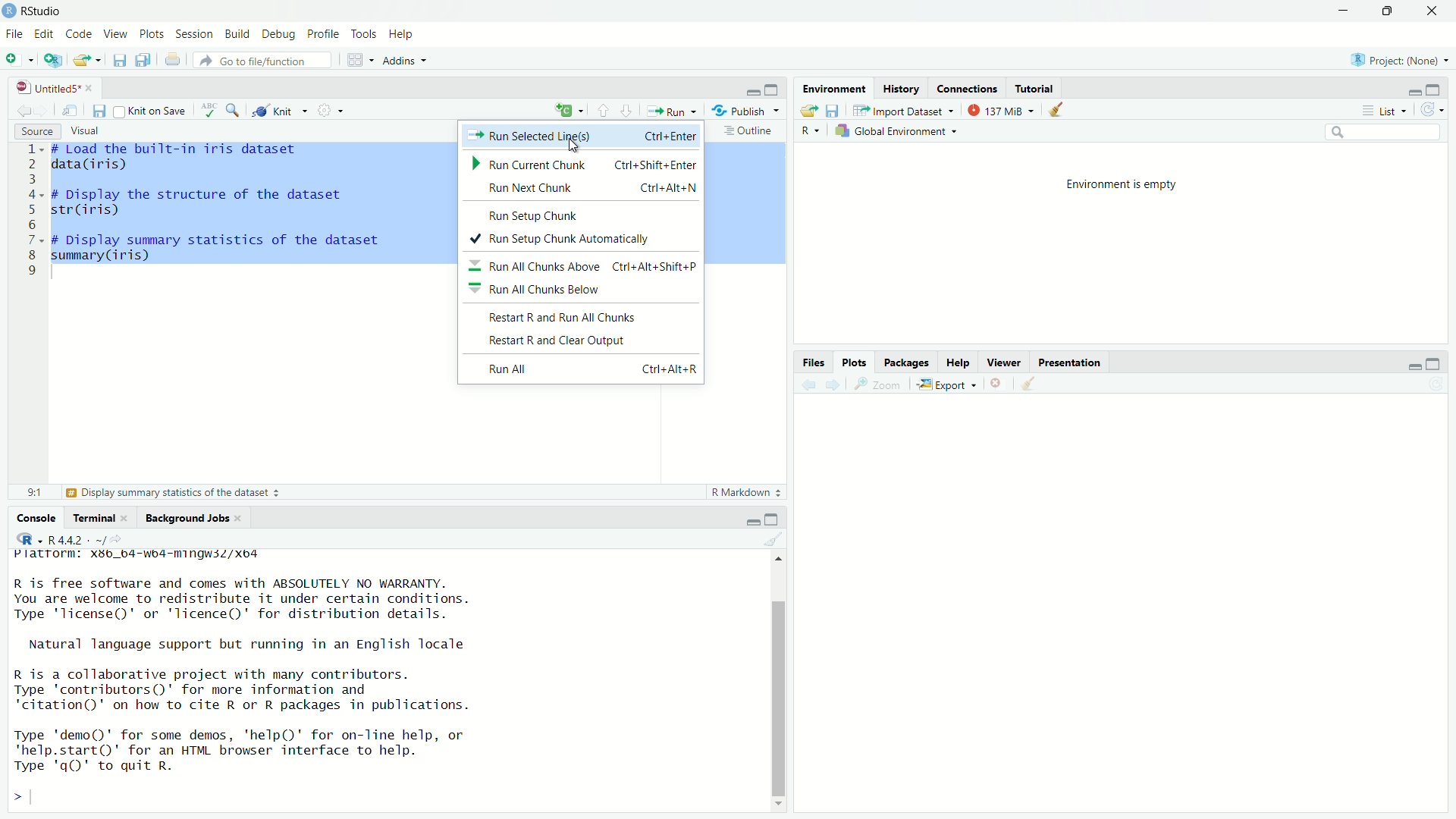  Describe the element at coordinates (585, 189) in the screenshot. I see `Run Next Chunk Ctrl+Alt+N` at that location.